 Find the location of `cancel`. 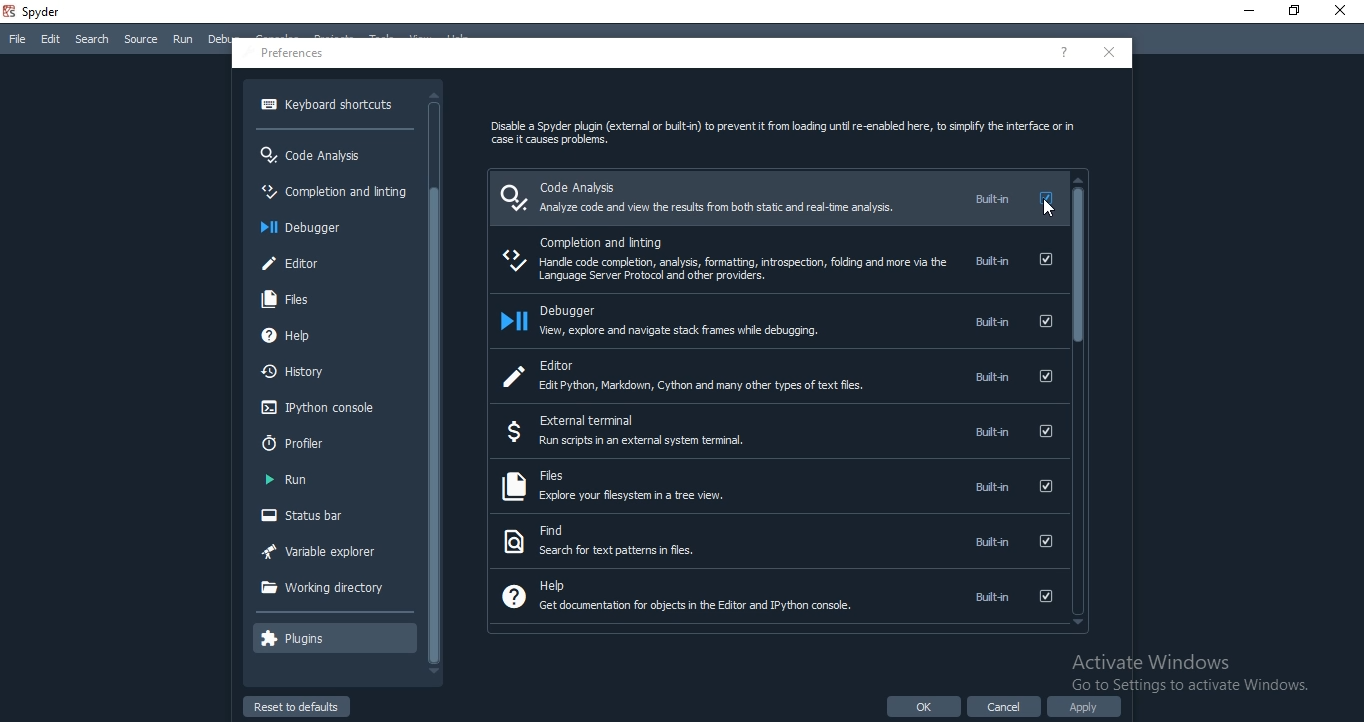

cancel is located at coordinates (1005, 707).